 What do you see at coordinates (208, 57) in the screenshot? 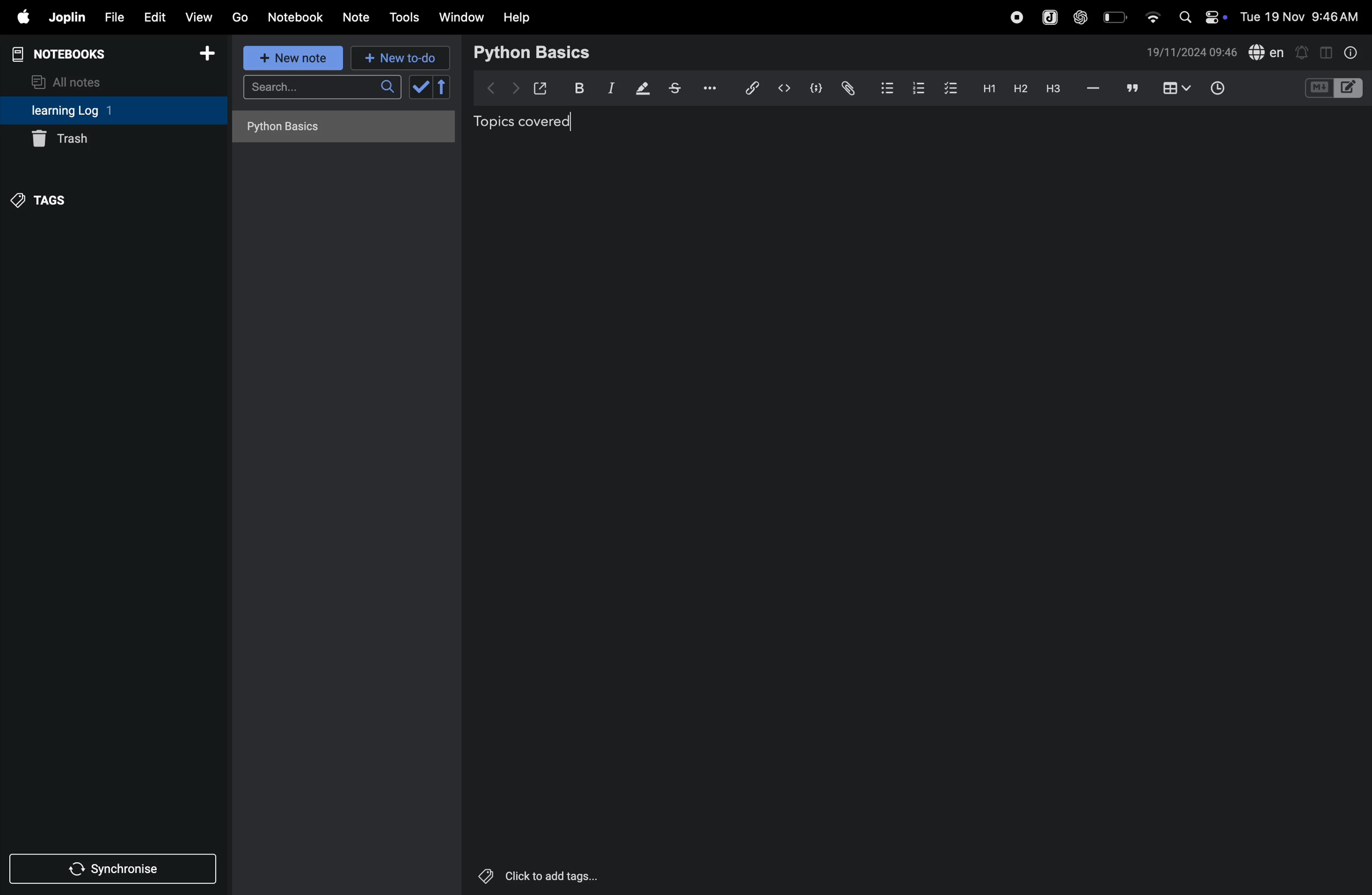
I see `add` at bounding box center [208, 57].